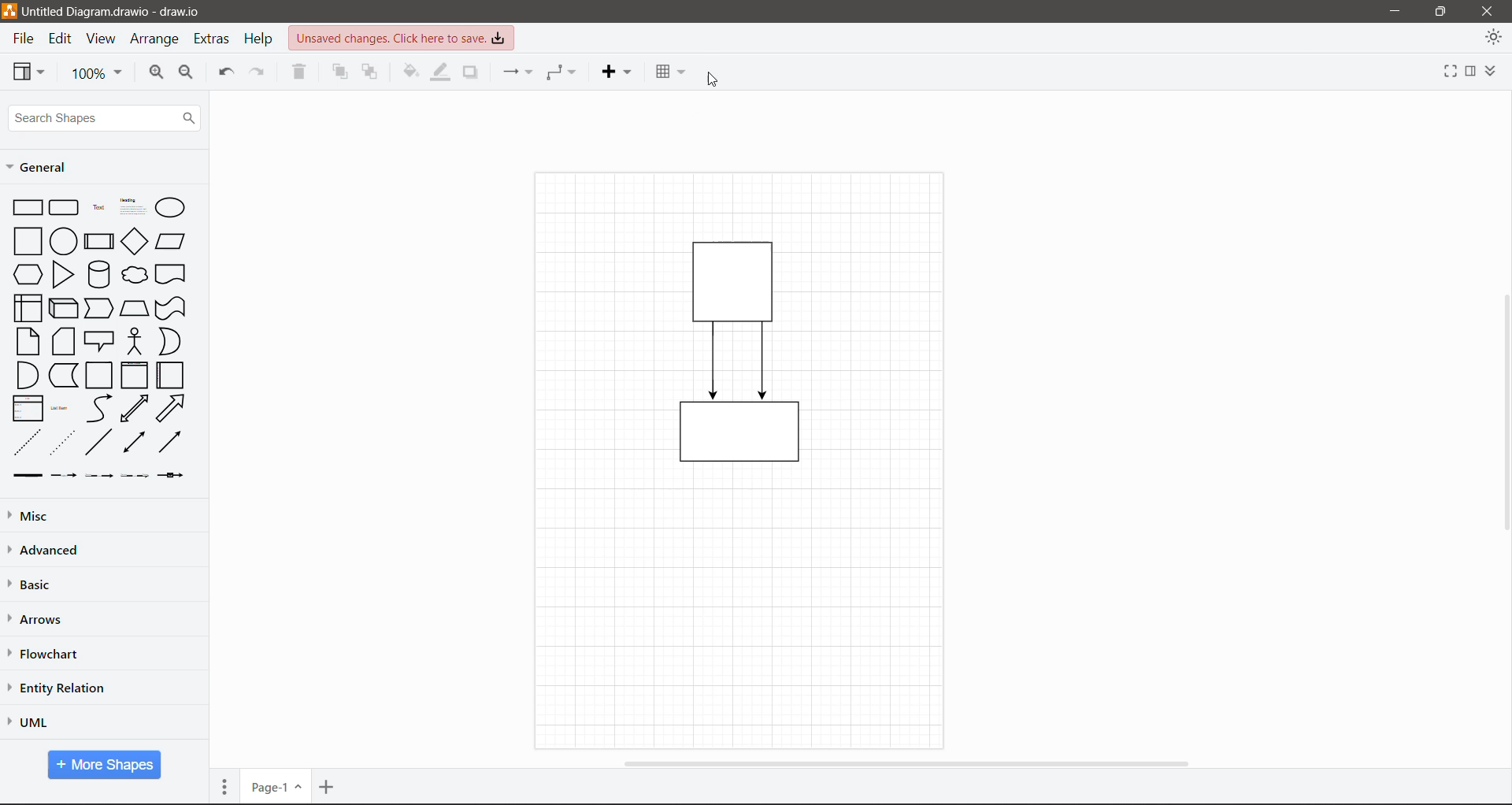  I want to click on draw.io logo, so click(9, 10).